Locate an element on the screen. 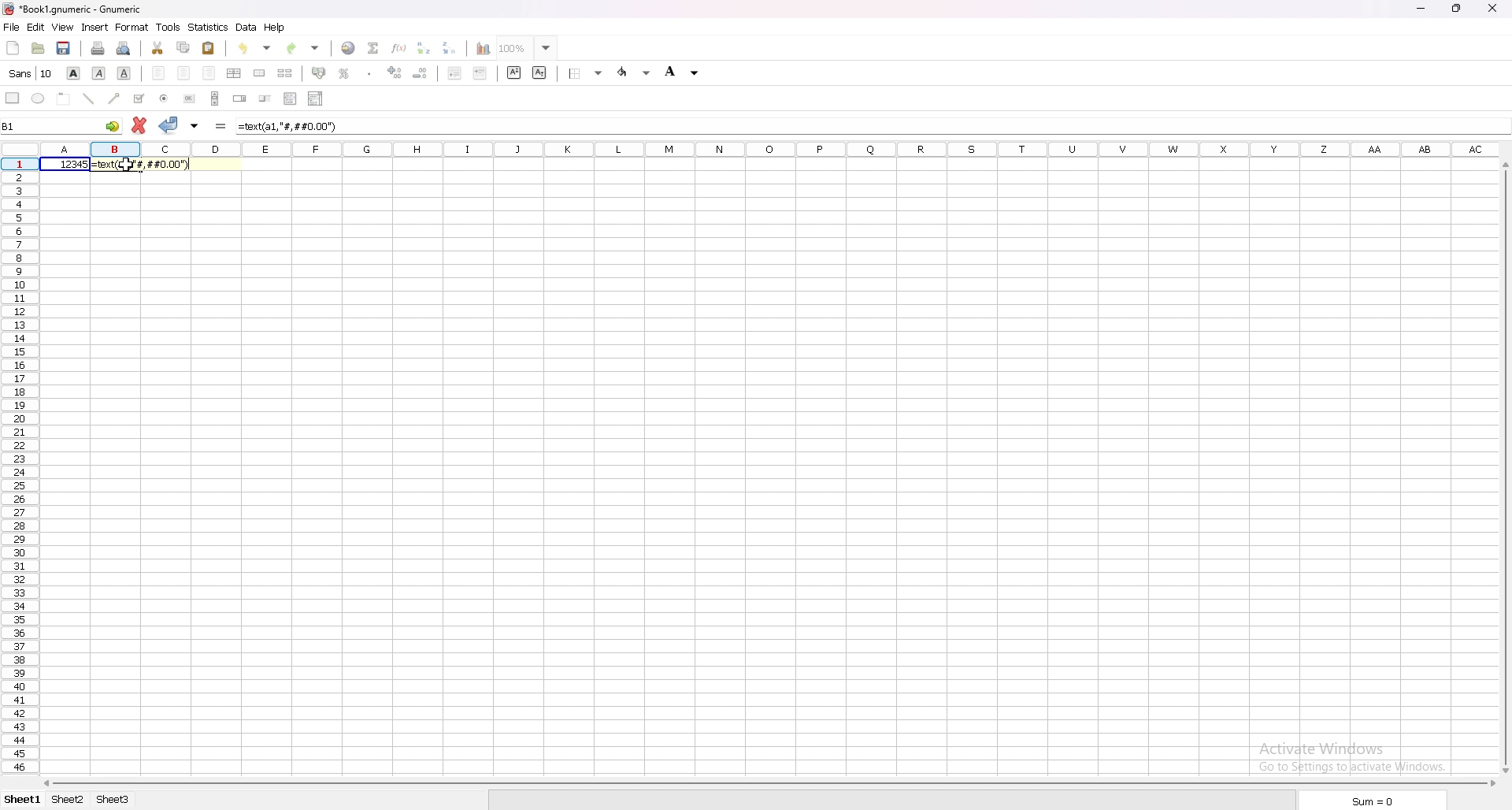 The image size is (1512, 810). statistics is located at coordinates (208, 27).